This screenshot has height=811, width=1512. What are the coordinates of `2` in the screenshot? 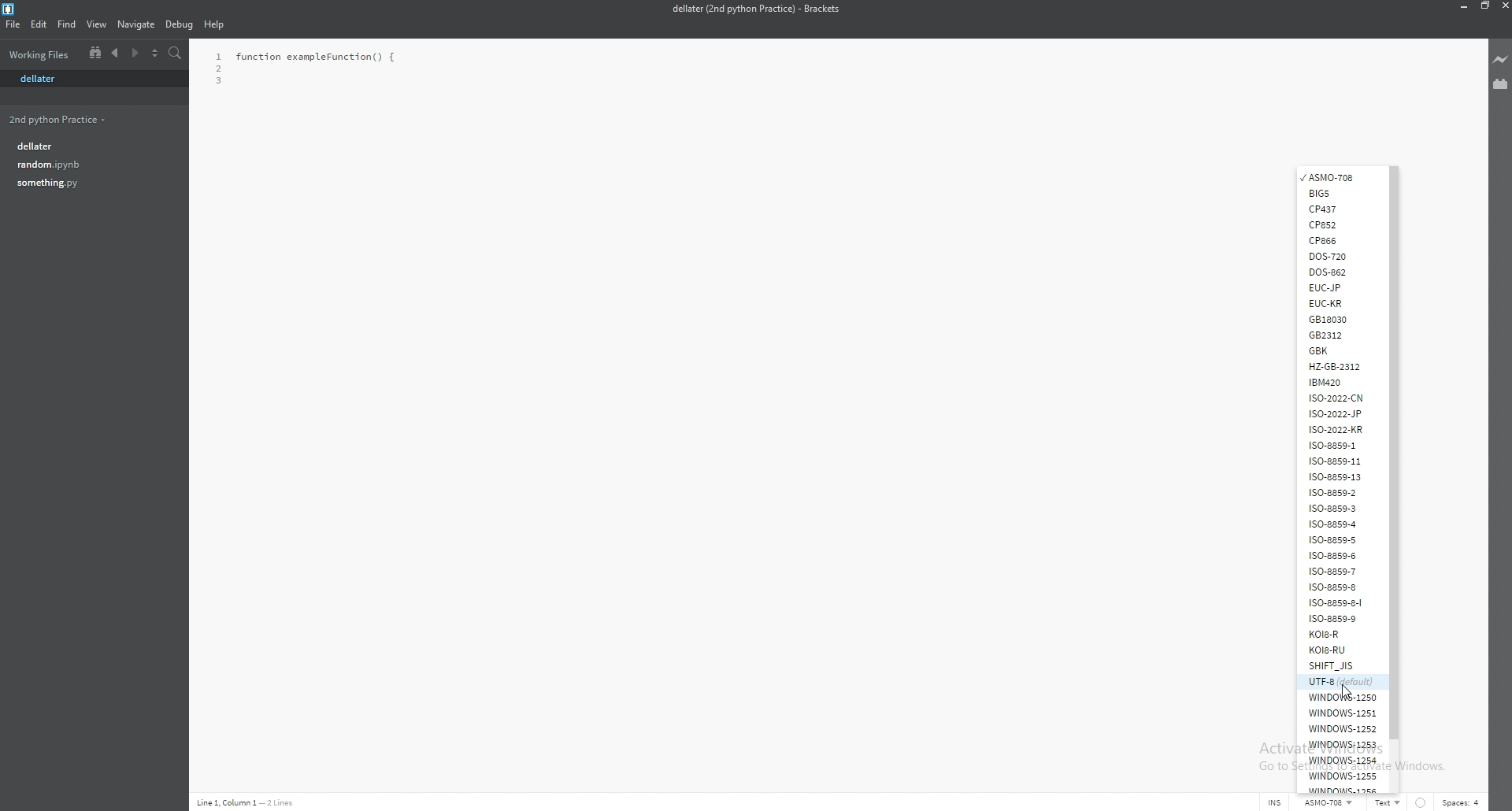 It's located at (219, 69).